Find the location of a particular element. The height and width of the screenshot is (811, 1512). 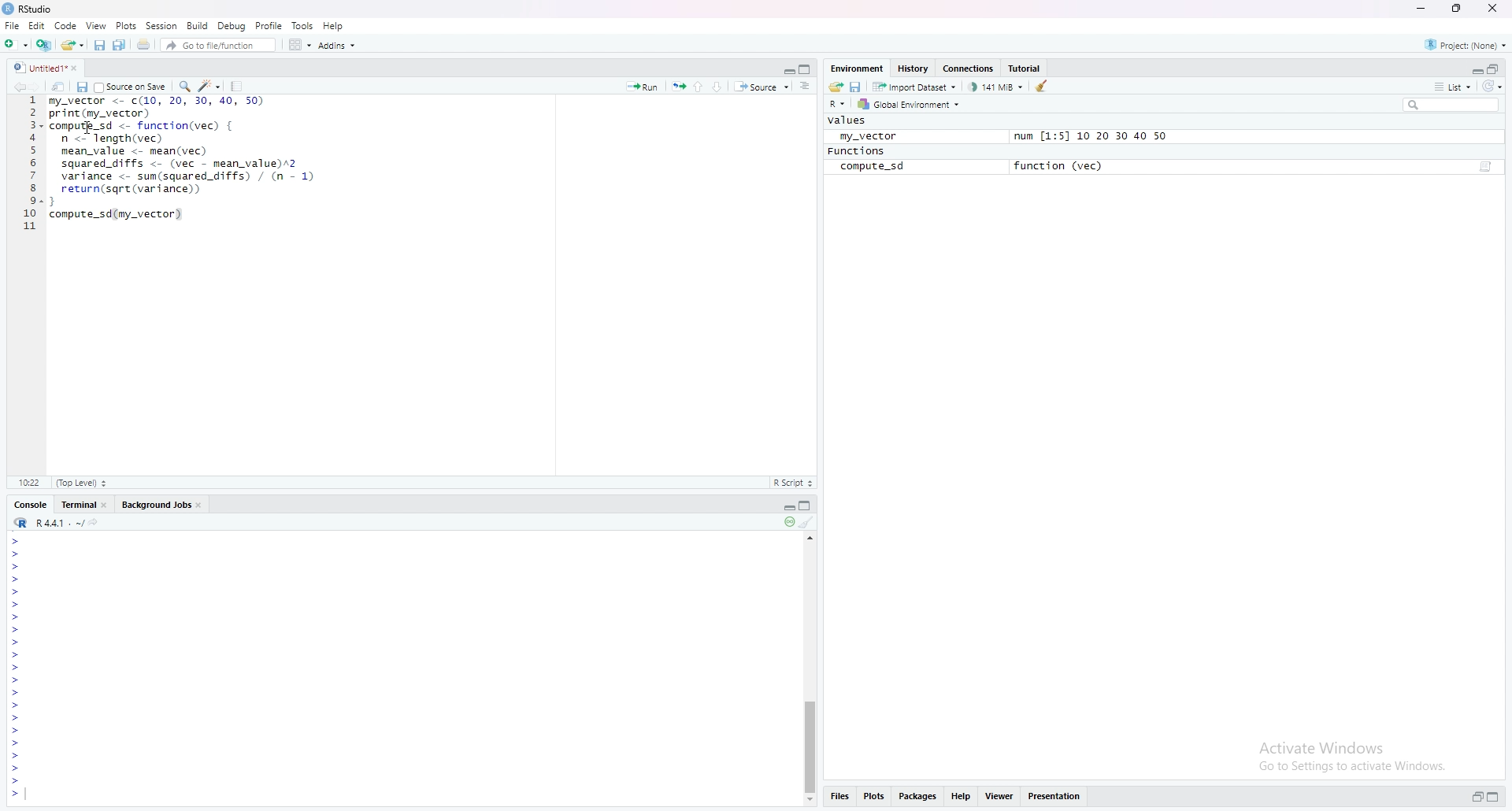

Print the current file is located at coordinates (142, 45).